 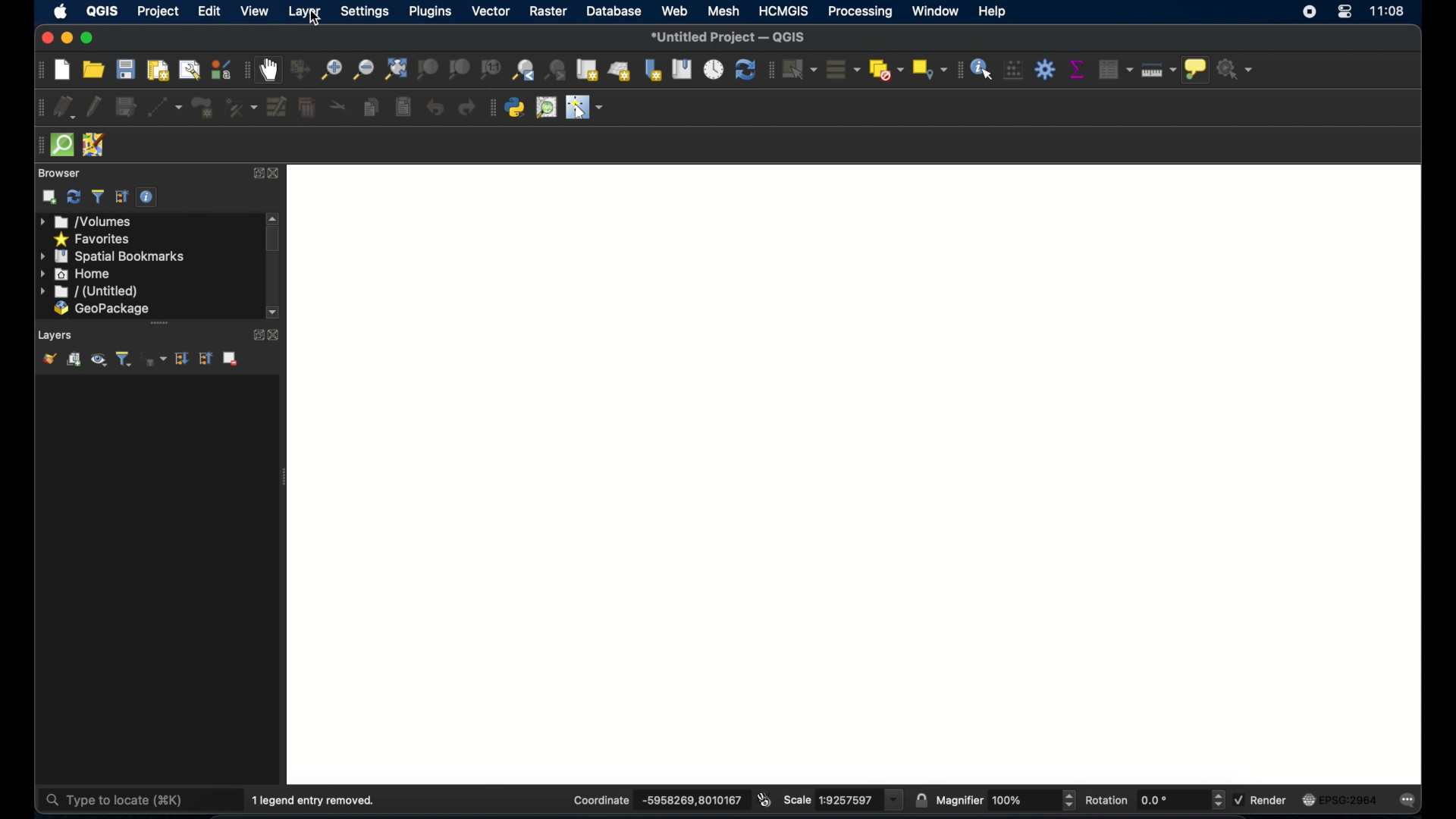 What do you see at coordinates (982, 68) in the screenshot?
I see `identify features` at bounding box center [982, 68].